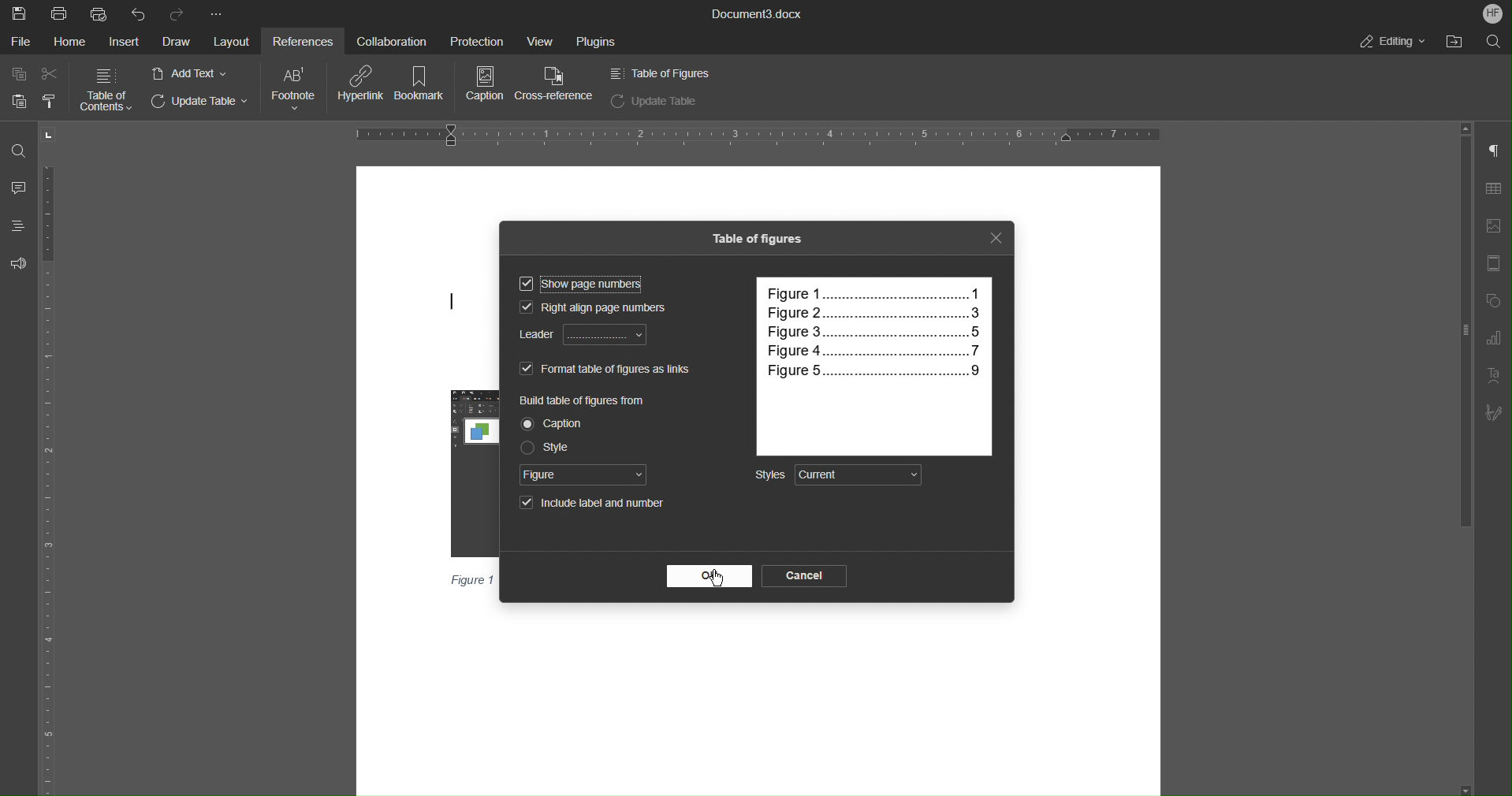  I want to click on Graph Settings, so click(1492, 340).